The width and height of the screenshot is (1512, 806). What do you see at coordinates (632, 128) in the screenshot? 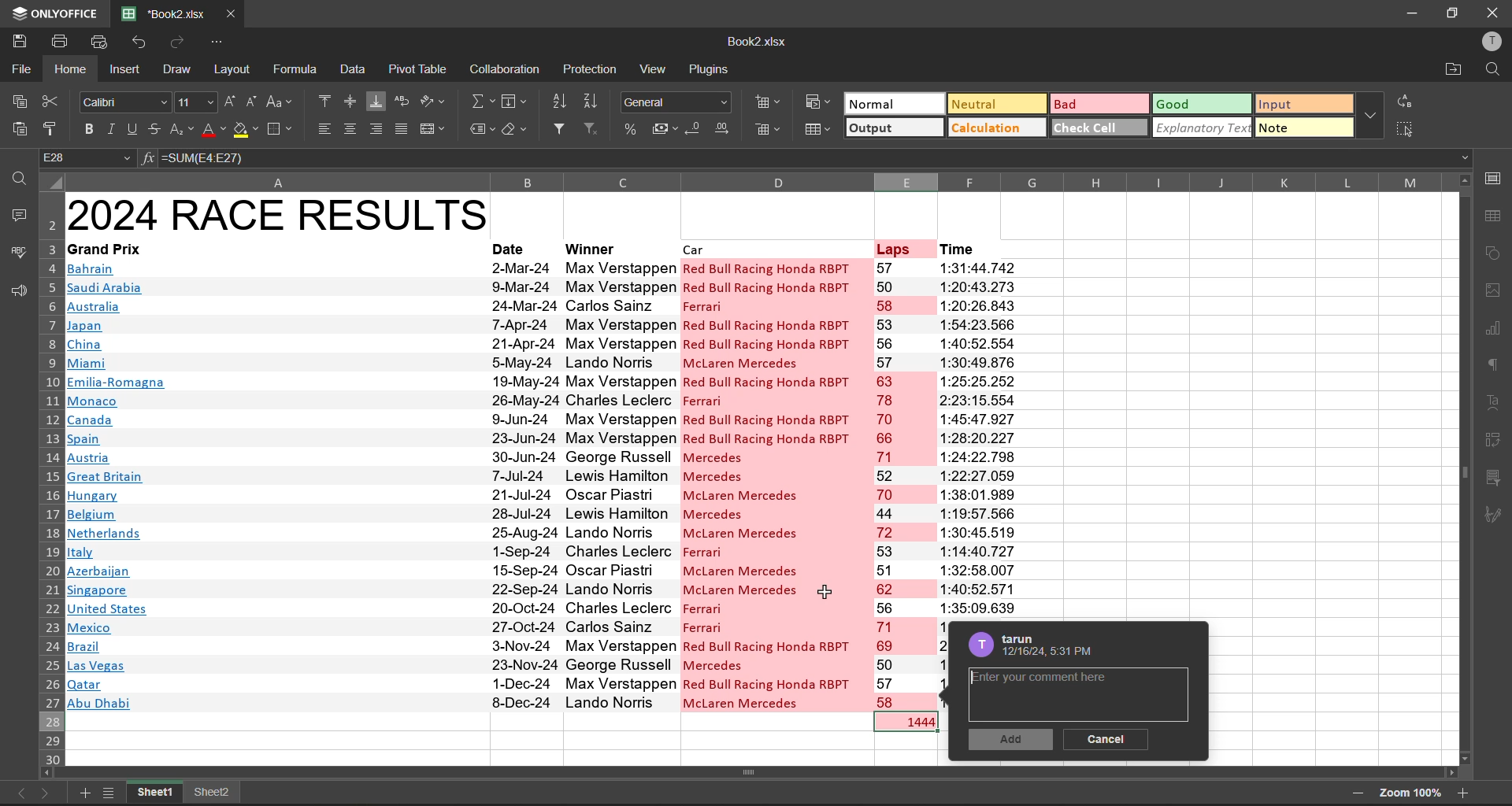
I see `percent` at bounding box center [632, 128].